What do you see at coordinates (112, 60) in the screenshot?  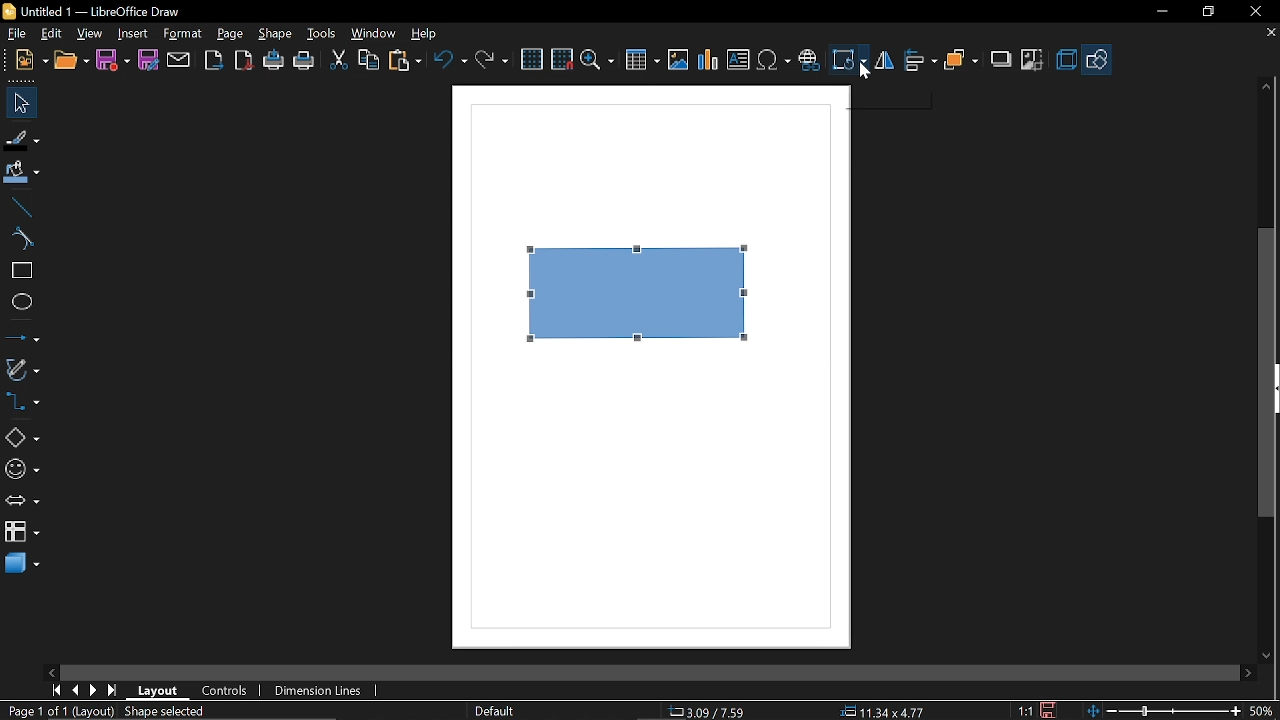 I see `Save` at bounding box center [112, 60].